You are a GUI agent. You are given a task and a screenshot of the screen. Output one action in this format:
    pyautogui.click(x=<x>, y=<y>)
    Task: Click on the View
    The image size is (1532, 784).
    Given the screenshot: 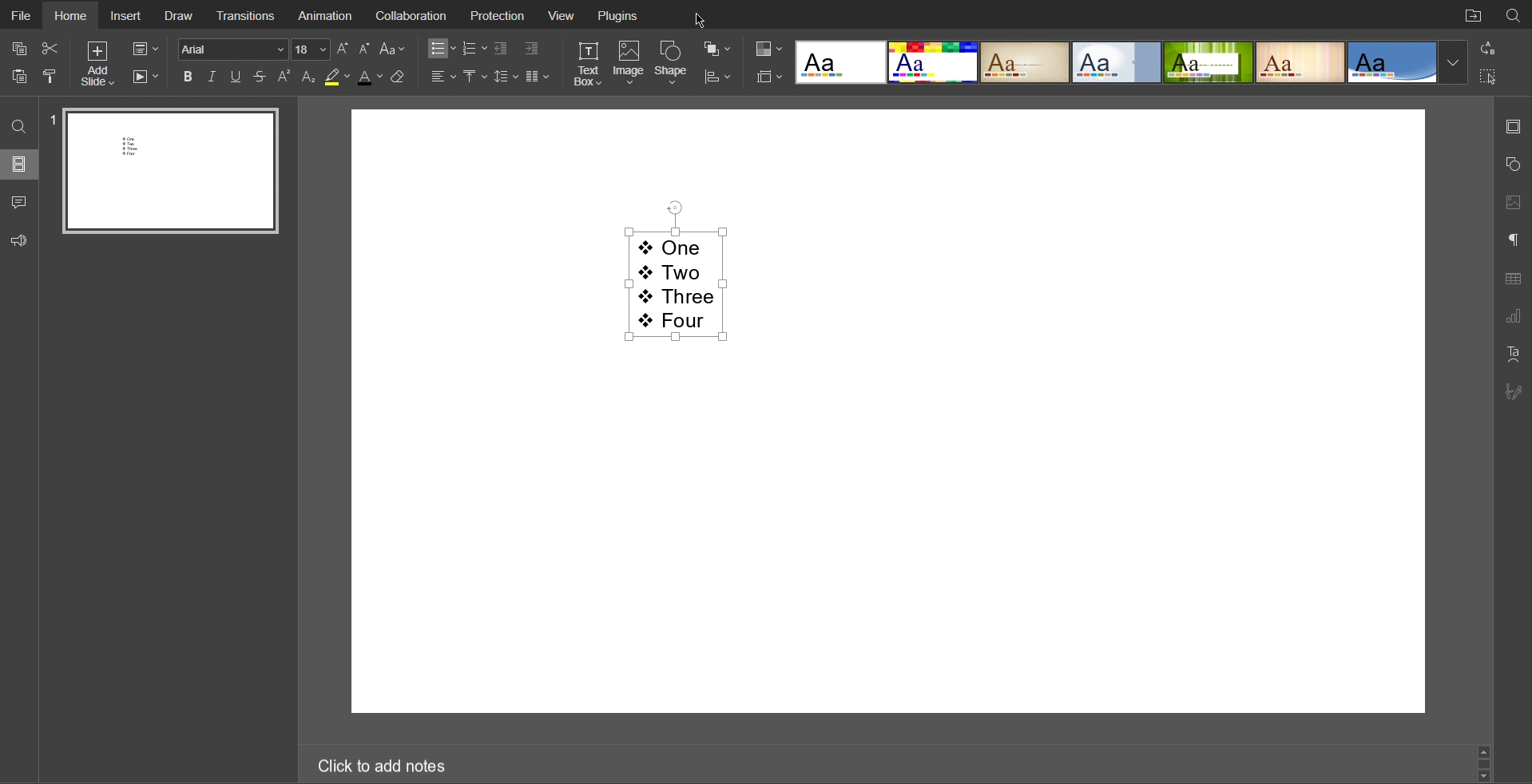 What is the action you would take?
    pyautogui.click(x=562, y=14)
    